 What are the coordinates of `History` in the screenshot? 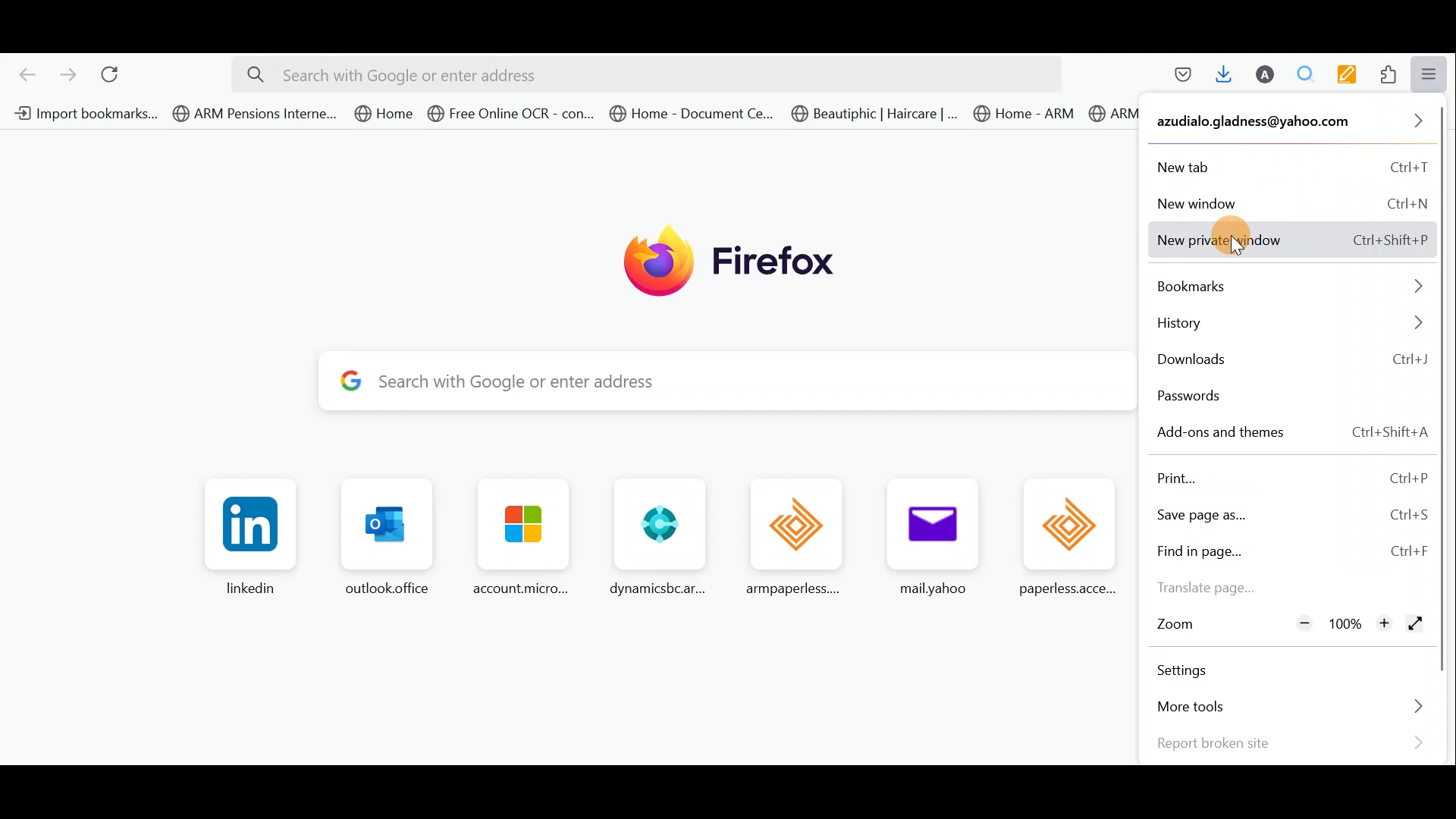 It's located at (1289, 326).